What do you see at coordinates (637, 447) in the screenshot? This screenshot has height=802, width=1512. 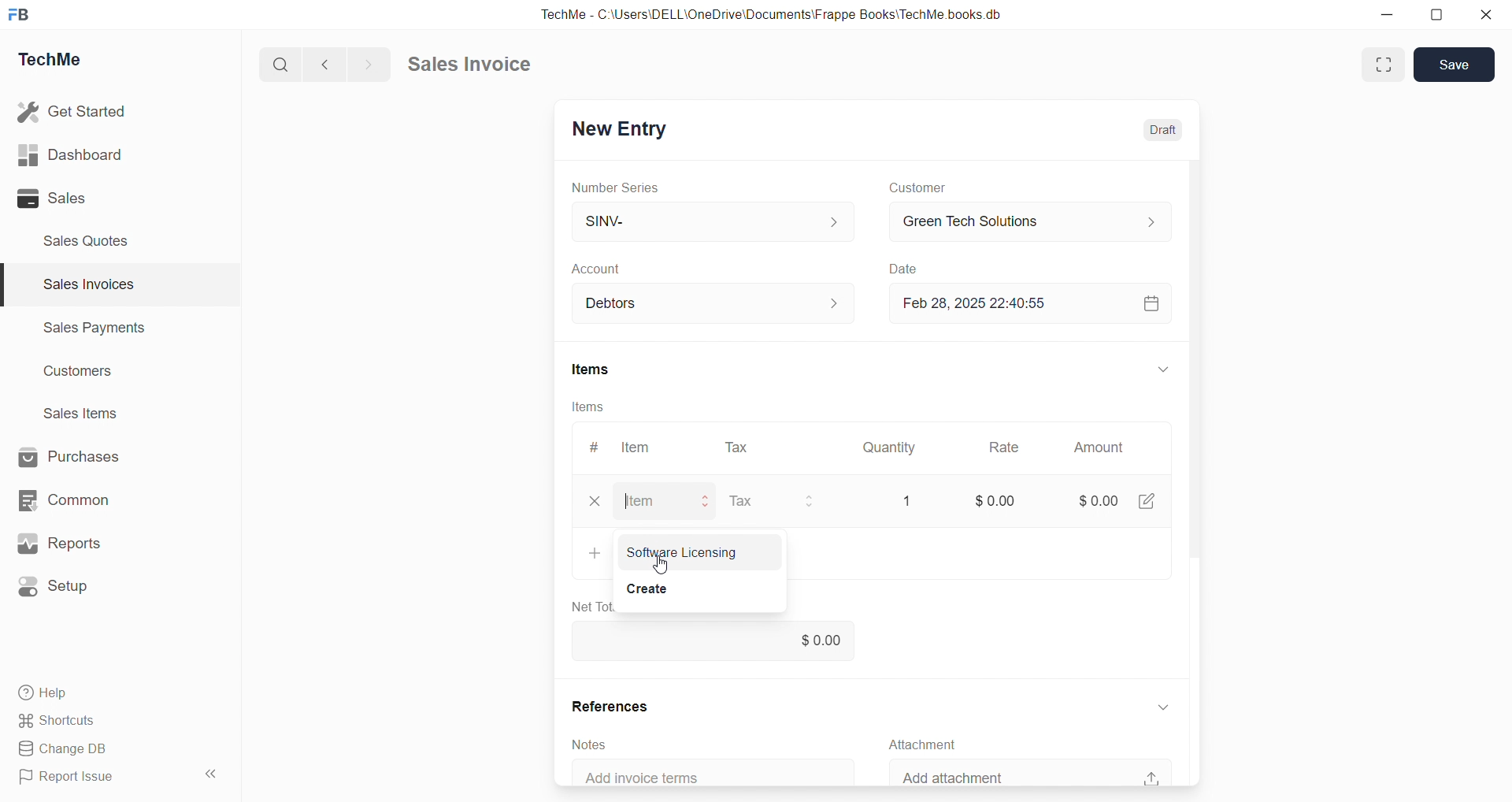 I see `Item` at bounding box center [637, 447].